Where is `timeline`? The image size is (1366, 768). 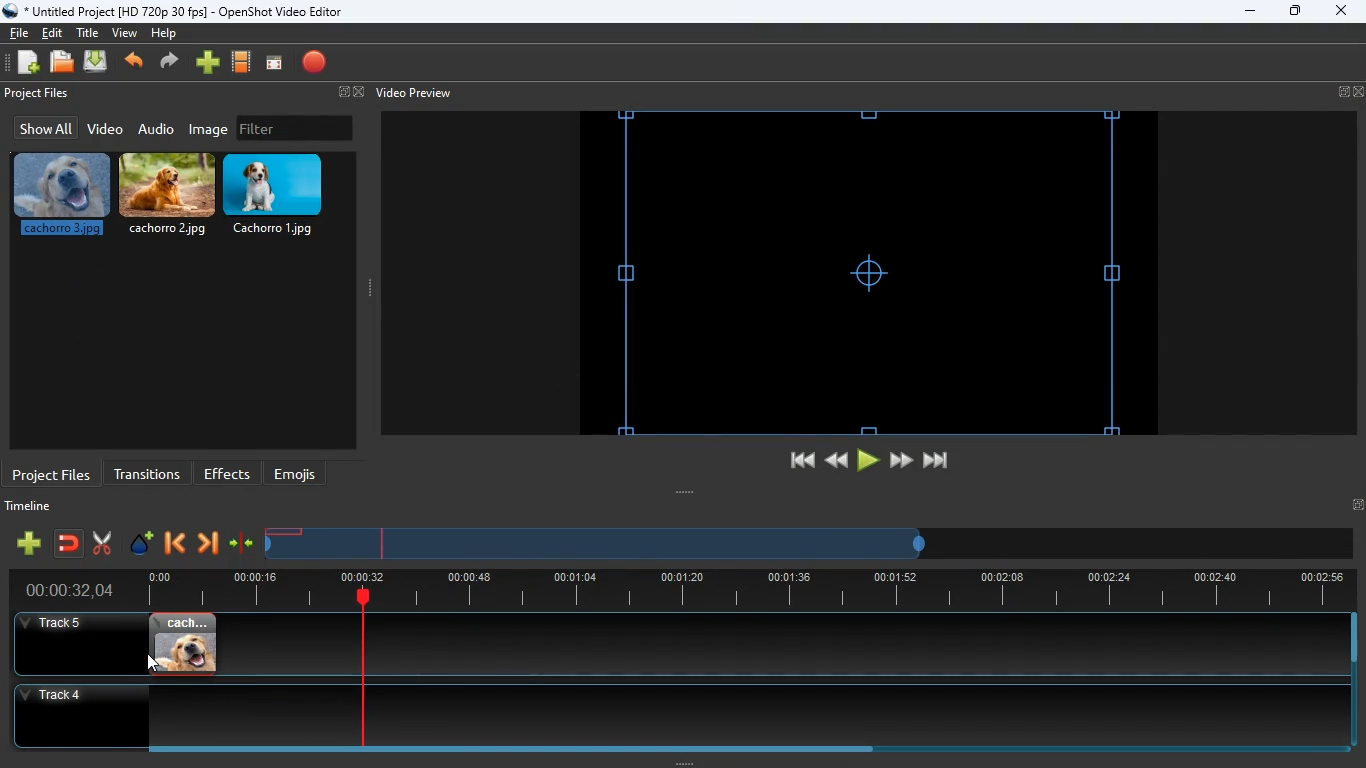 timeline is located at coordinates (736, 588).